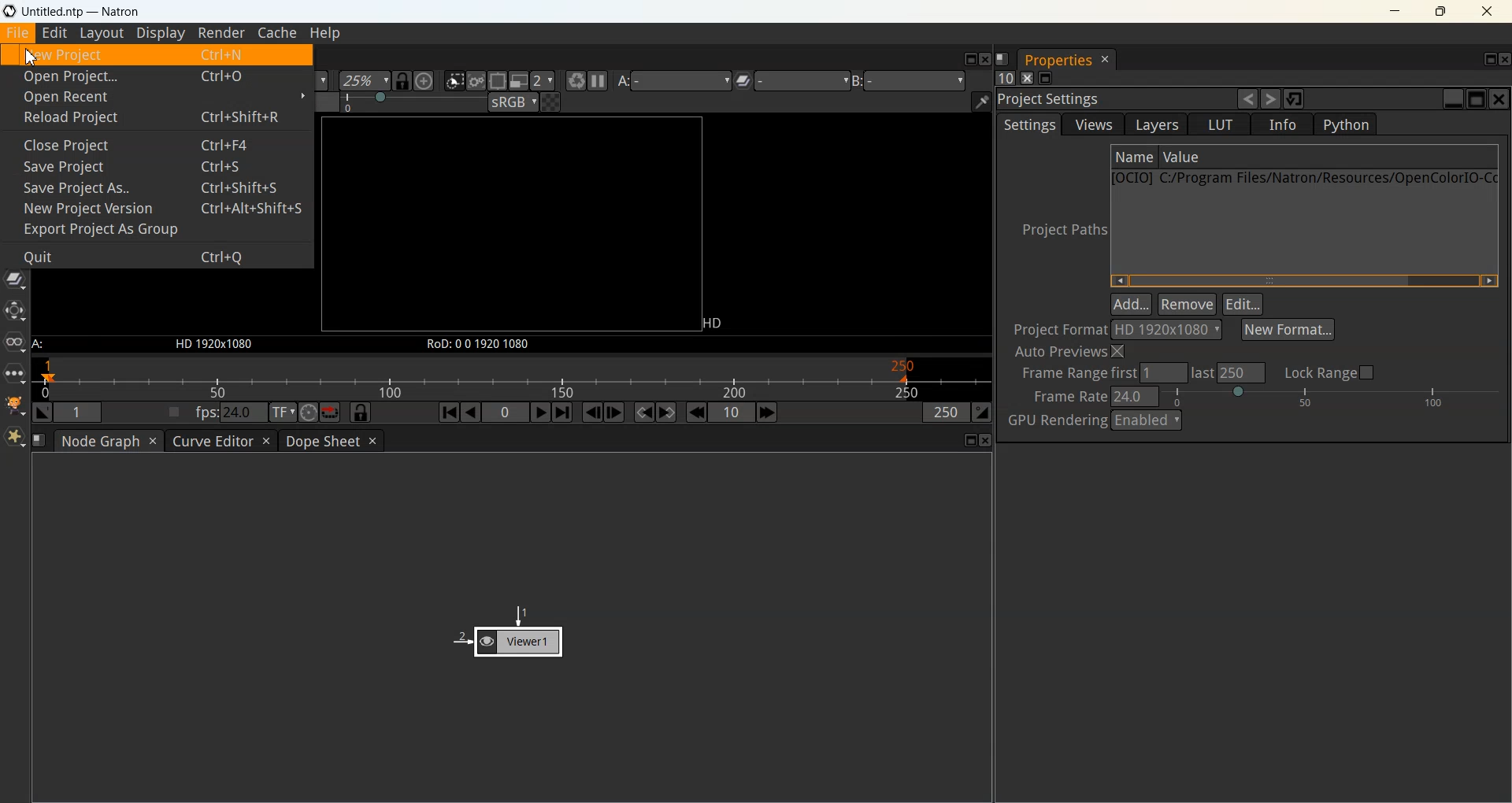 This screenshot has height=803, width=1512. What do you see at coordinates (1249, 98) in the screenshot?
I see `Undo` at bounding box center [1249, 98].